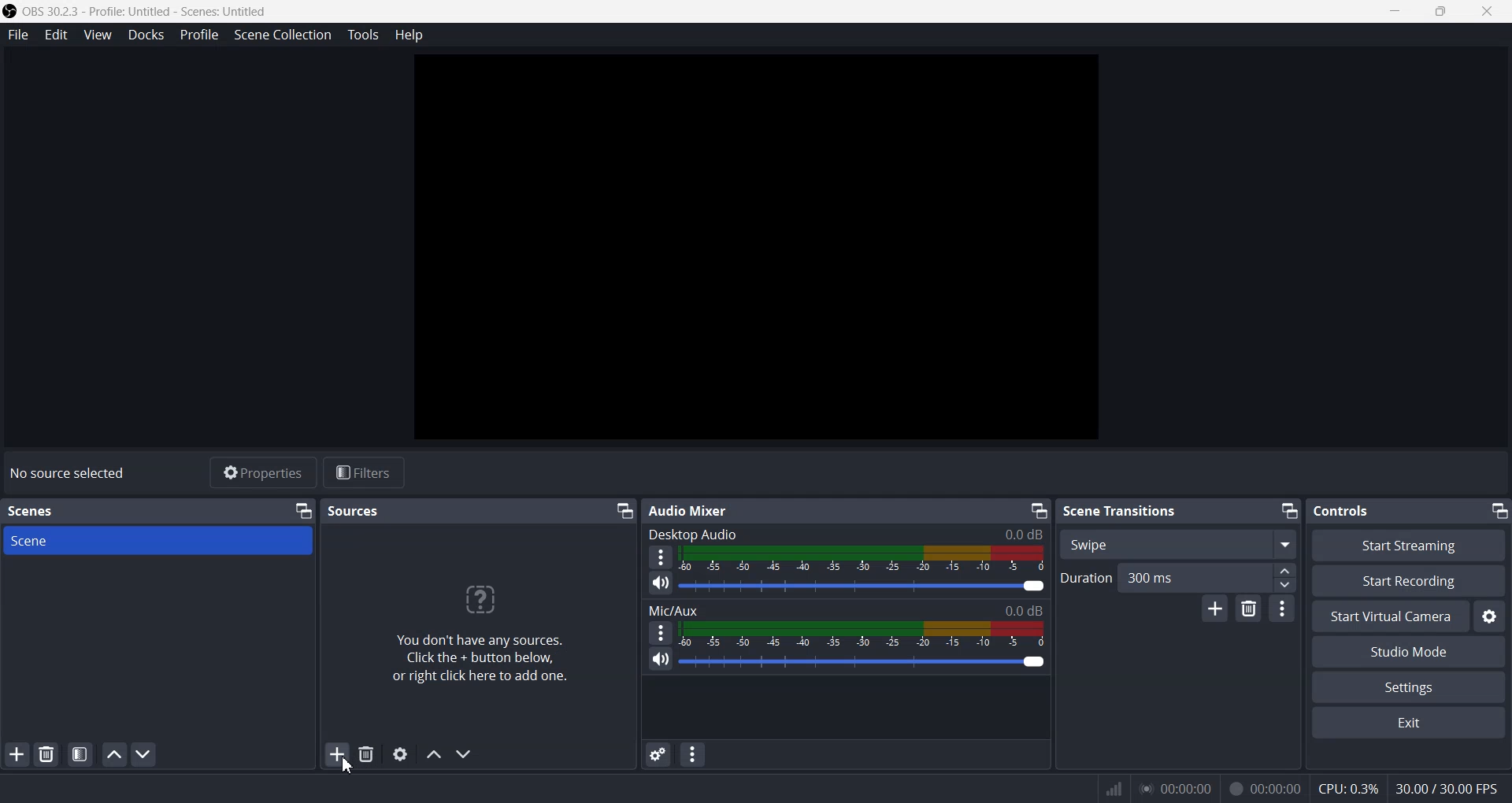  I want to click on Mic/Aux 0.0 dB, so click(845, 610).